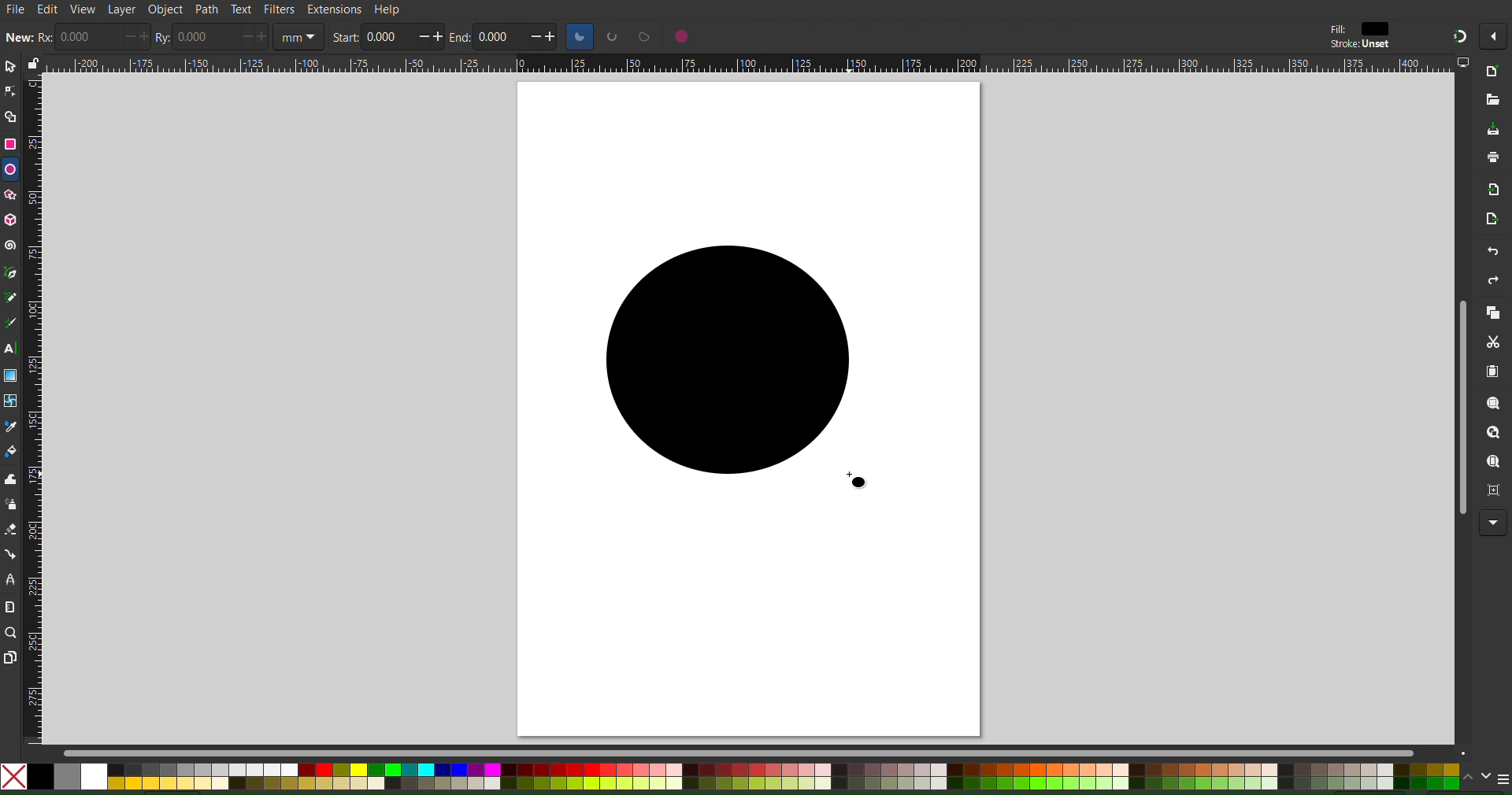 The height and width of the screenshot is (795, 1512). I want to click on Import Bitmap, so click(1492, 190).